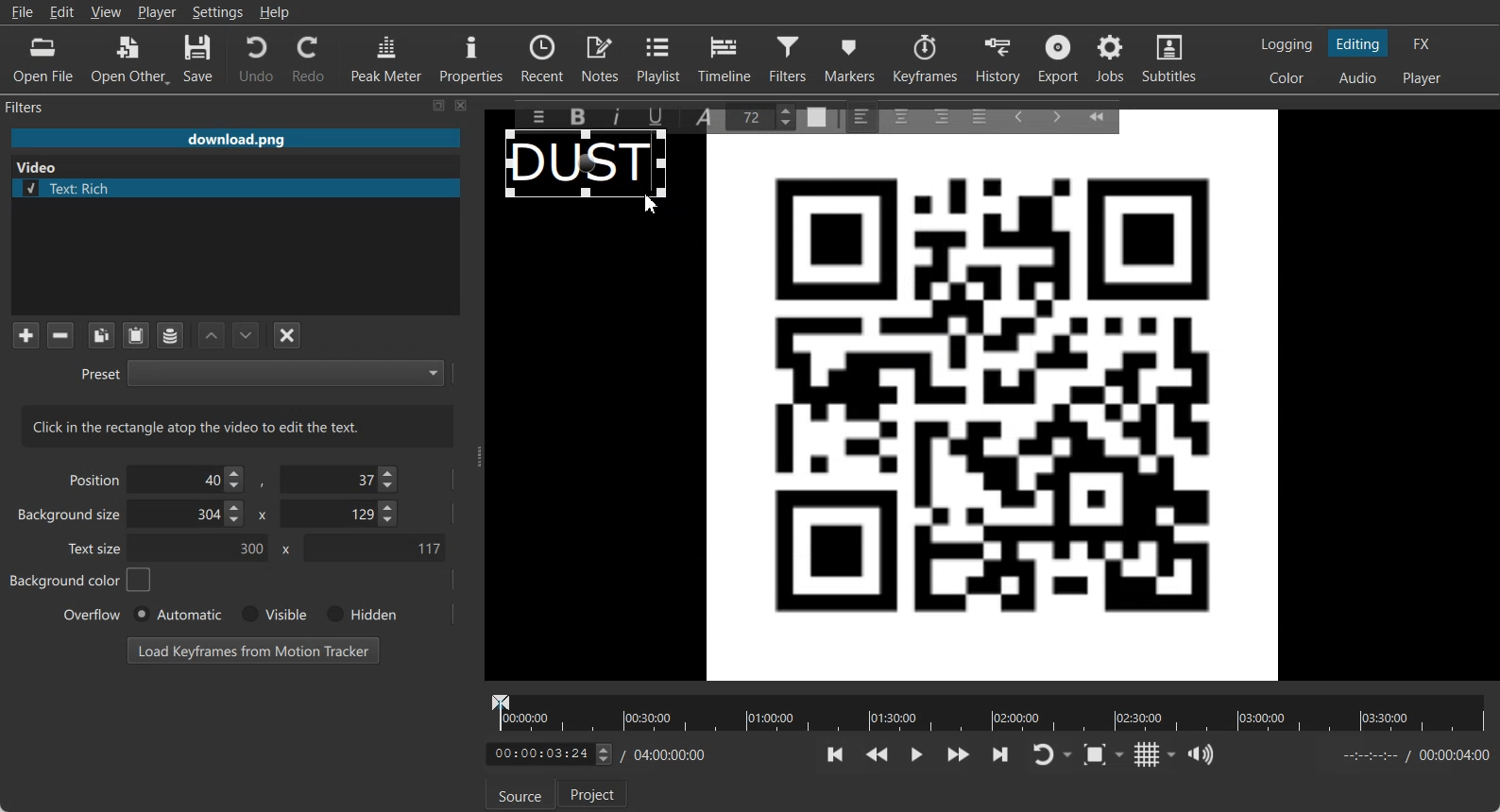  I want to click on Text size X- Co-ordinate, so click(204, 550).